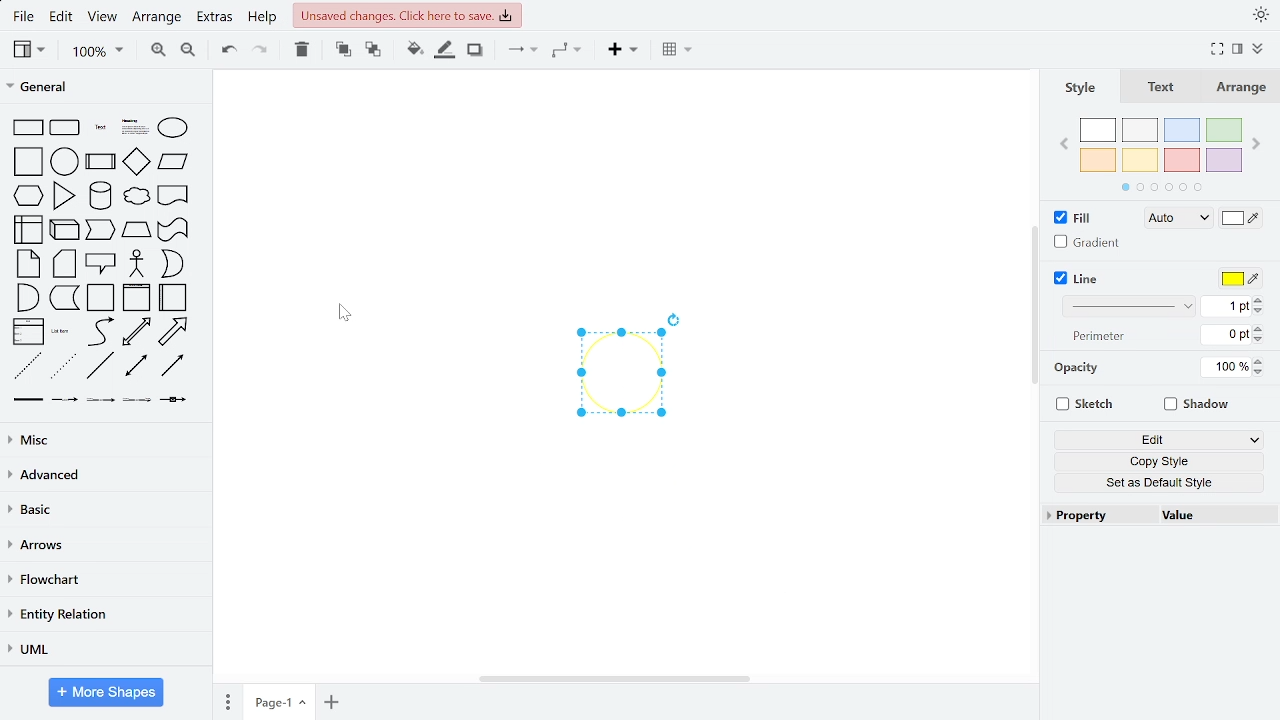  What do you see at coordinates (614, 679) in the screenshot?
I see `horizontal scrollbar` at bounding box center [614, 679].